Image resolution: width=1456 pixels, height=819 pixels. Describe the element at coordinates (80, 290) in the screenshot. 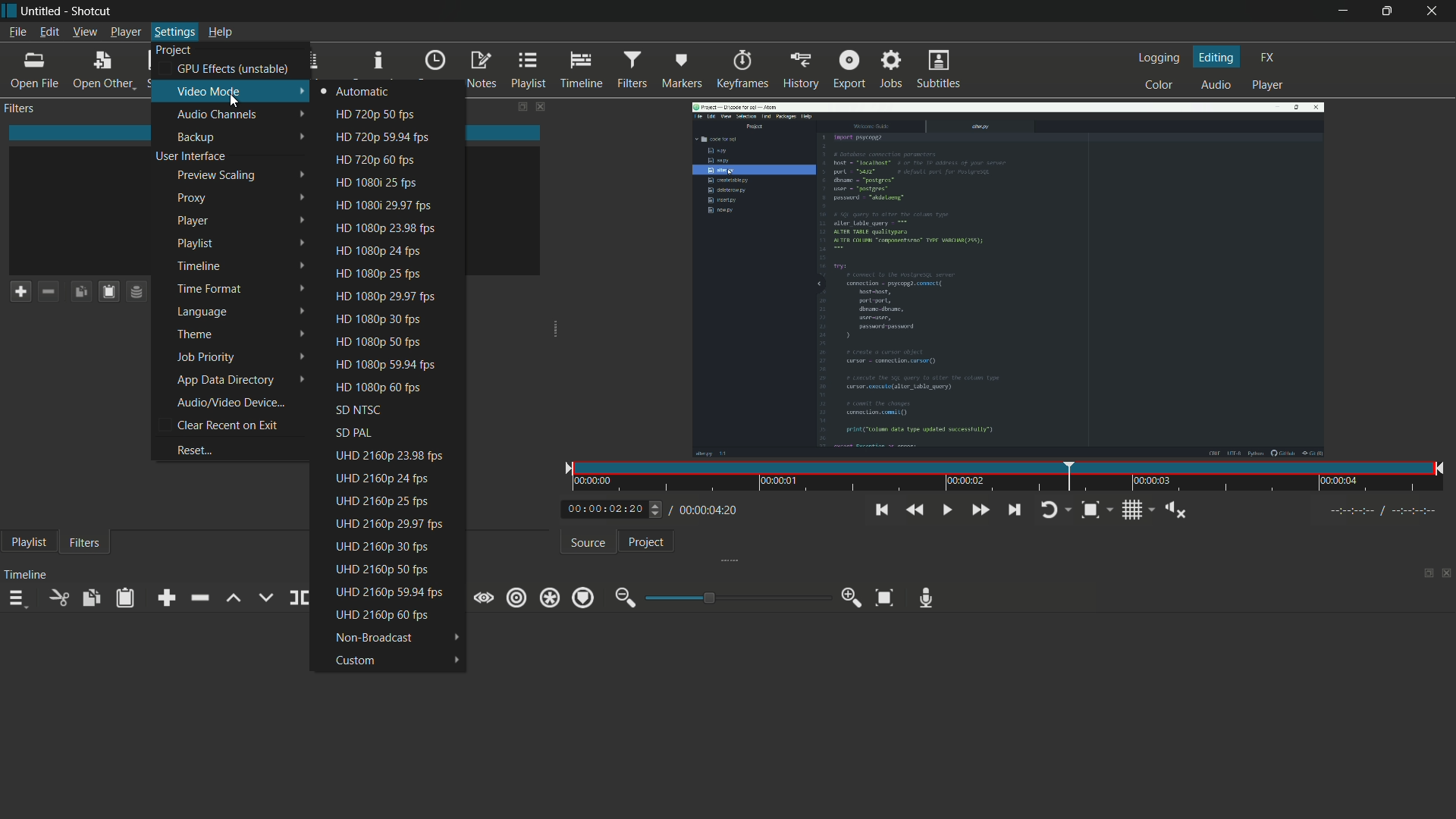

I see `copy checked filters` at that location.